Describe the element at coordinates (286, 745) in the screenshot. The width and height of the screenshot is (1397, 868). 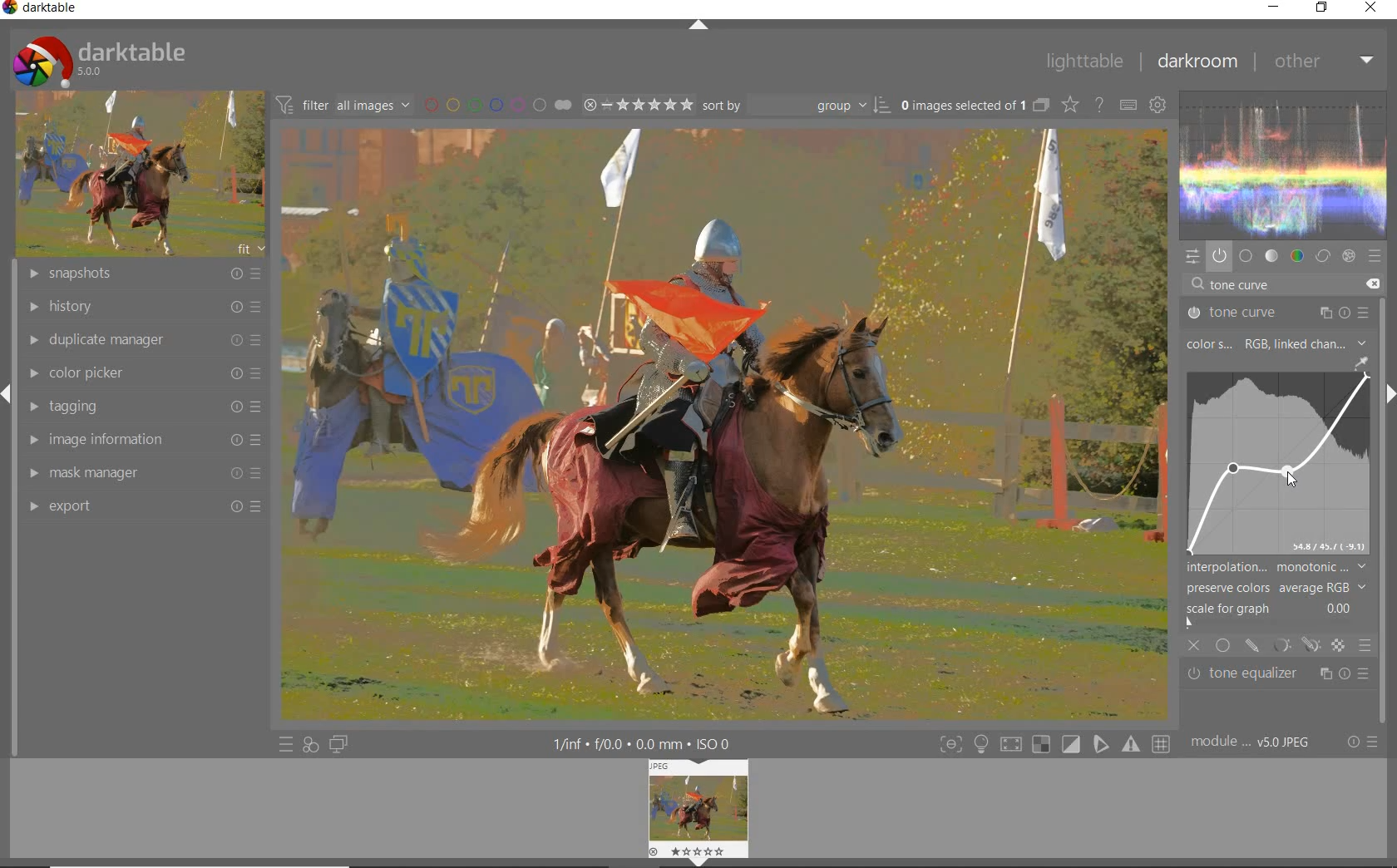
I see `quick access to presets` at that location.